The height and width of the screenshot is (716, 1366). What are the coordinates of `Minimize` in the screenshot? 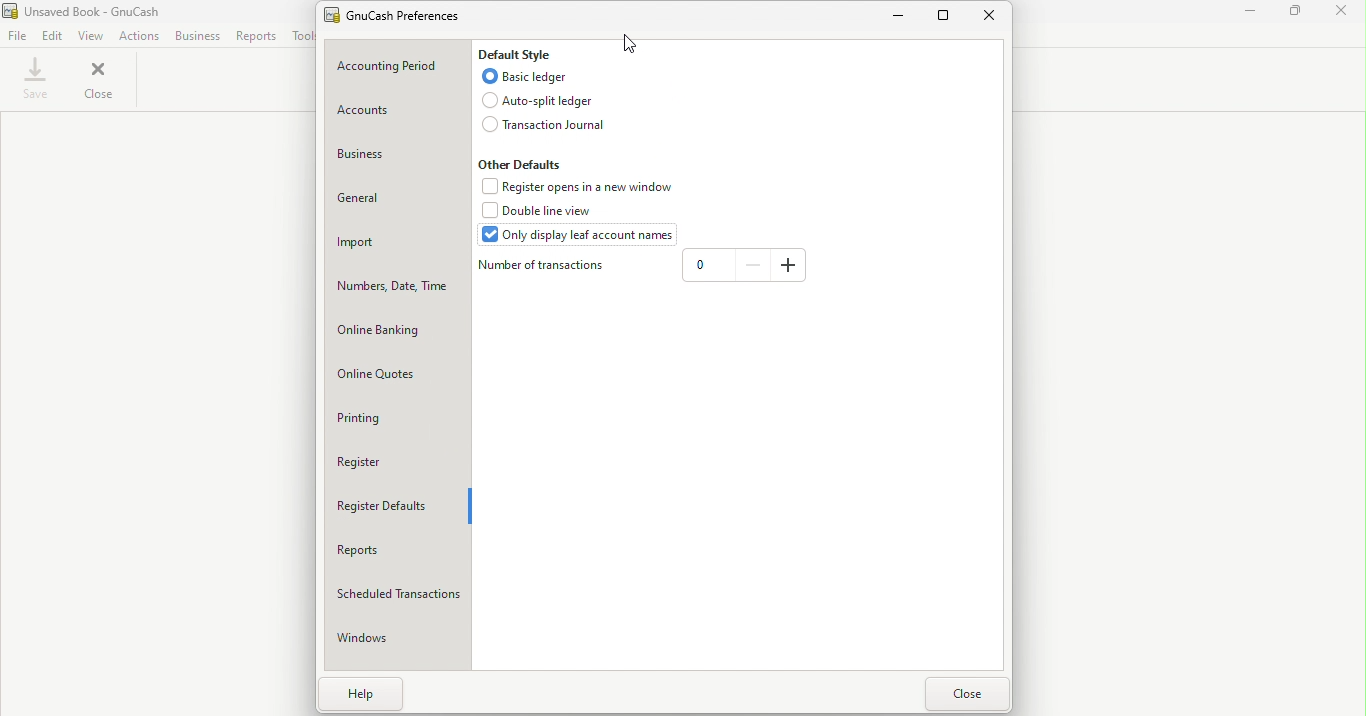 It's located at (1251, 12).